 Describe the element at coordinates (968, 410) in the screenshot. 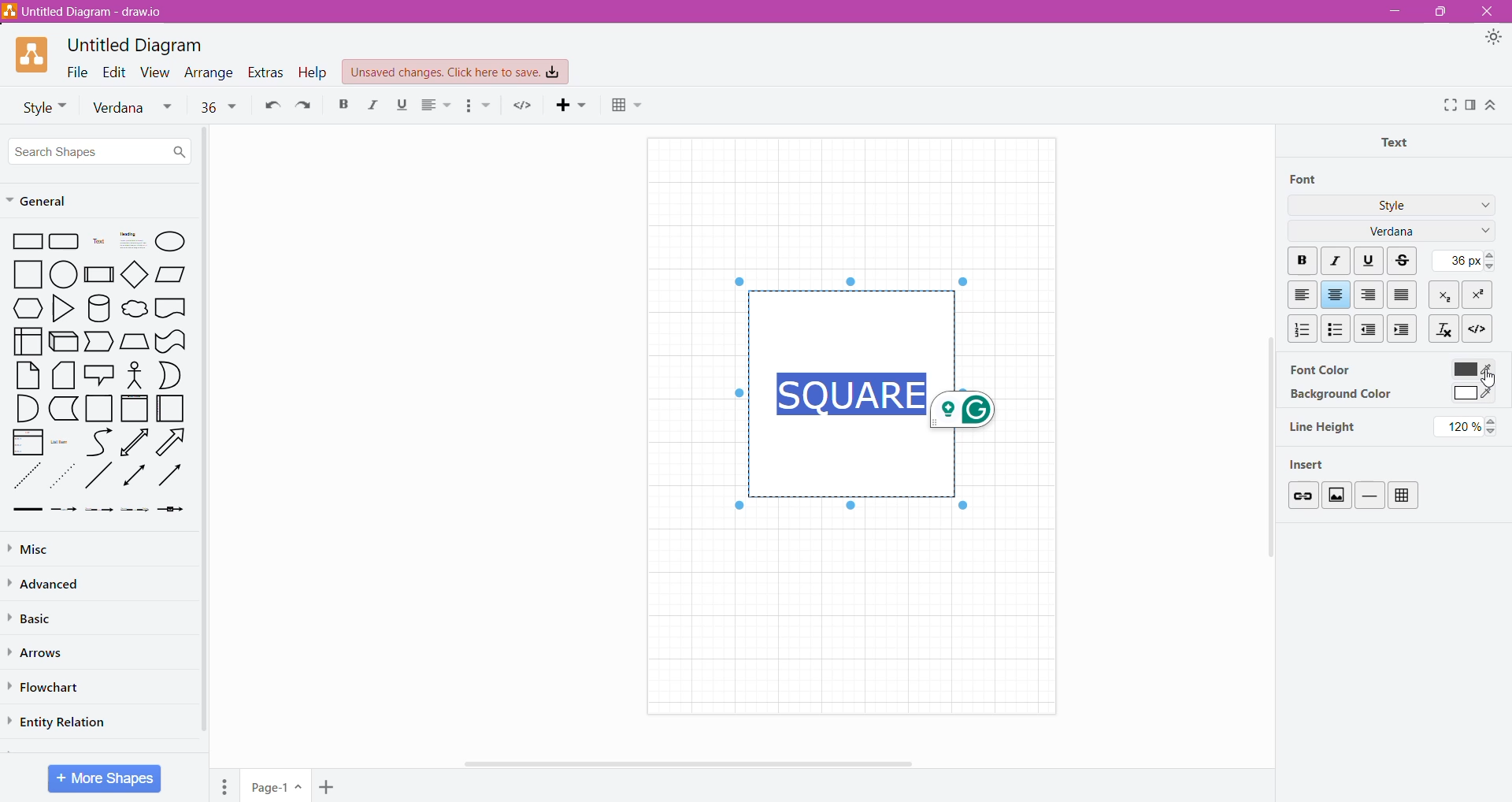

I see `grammarly logo` at that location.